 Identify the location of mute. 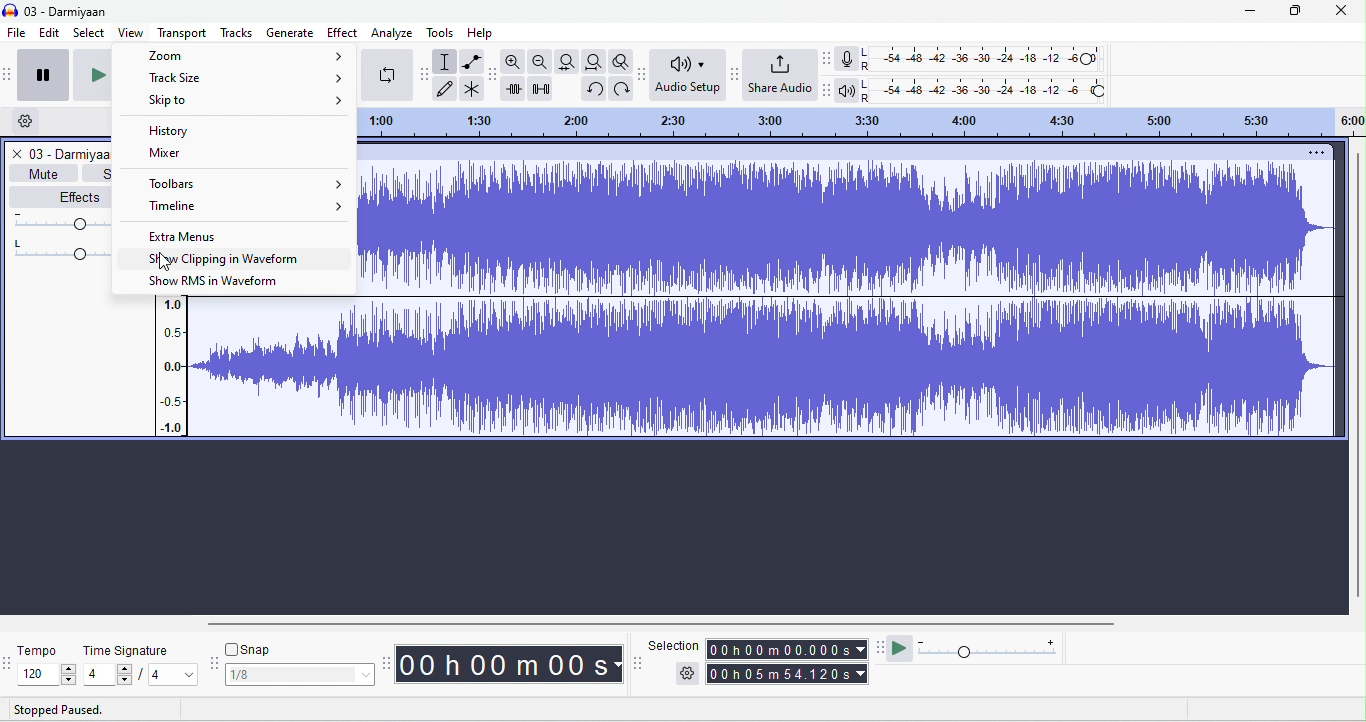
(43, 174).